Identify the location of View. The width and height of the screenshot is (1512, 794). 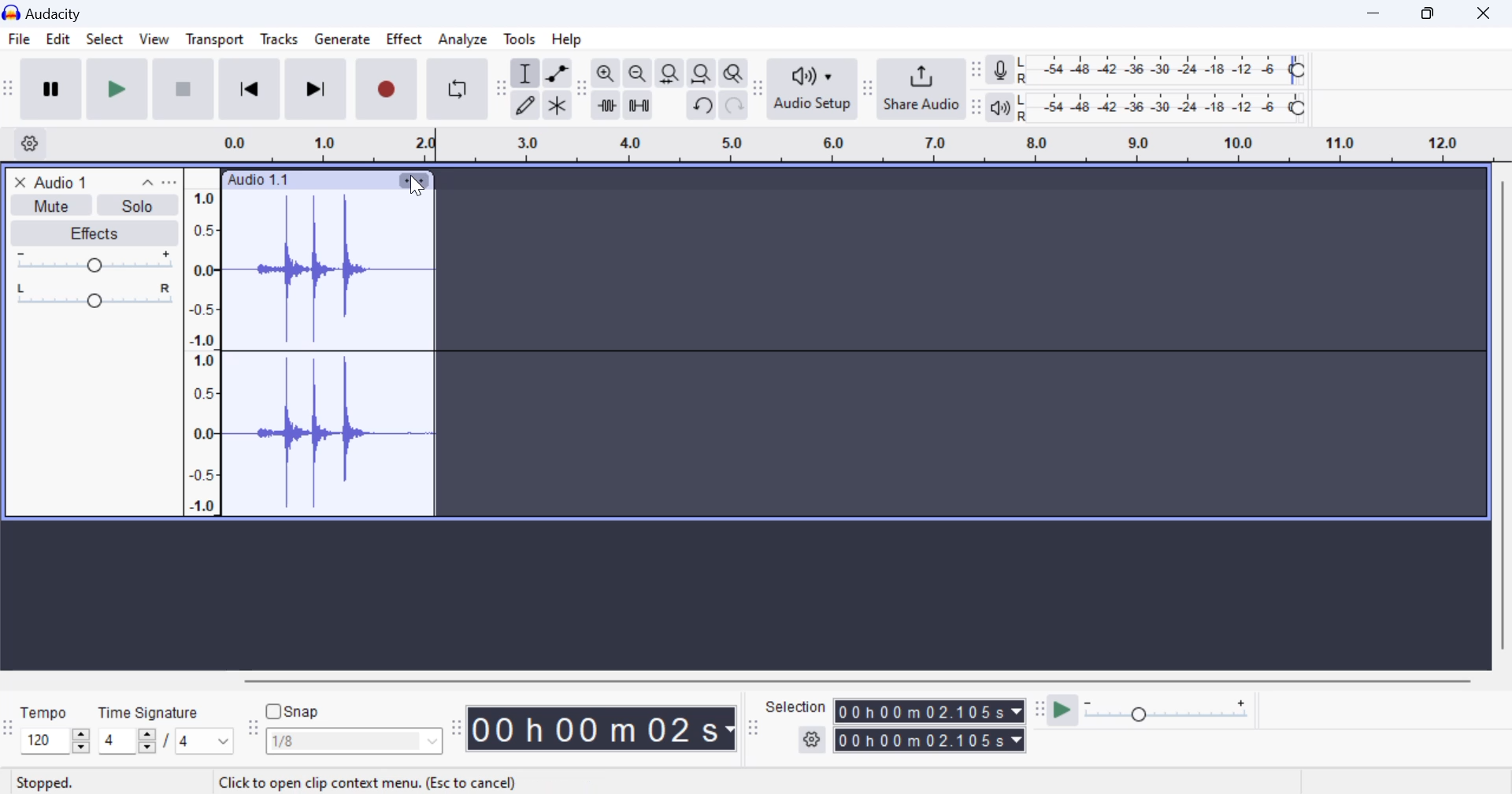
(153, 43).